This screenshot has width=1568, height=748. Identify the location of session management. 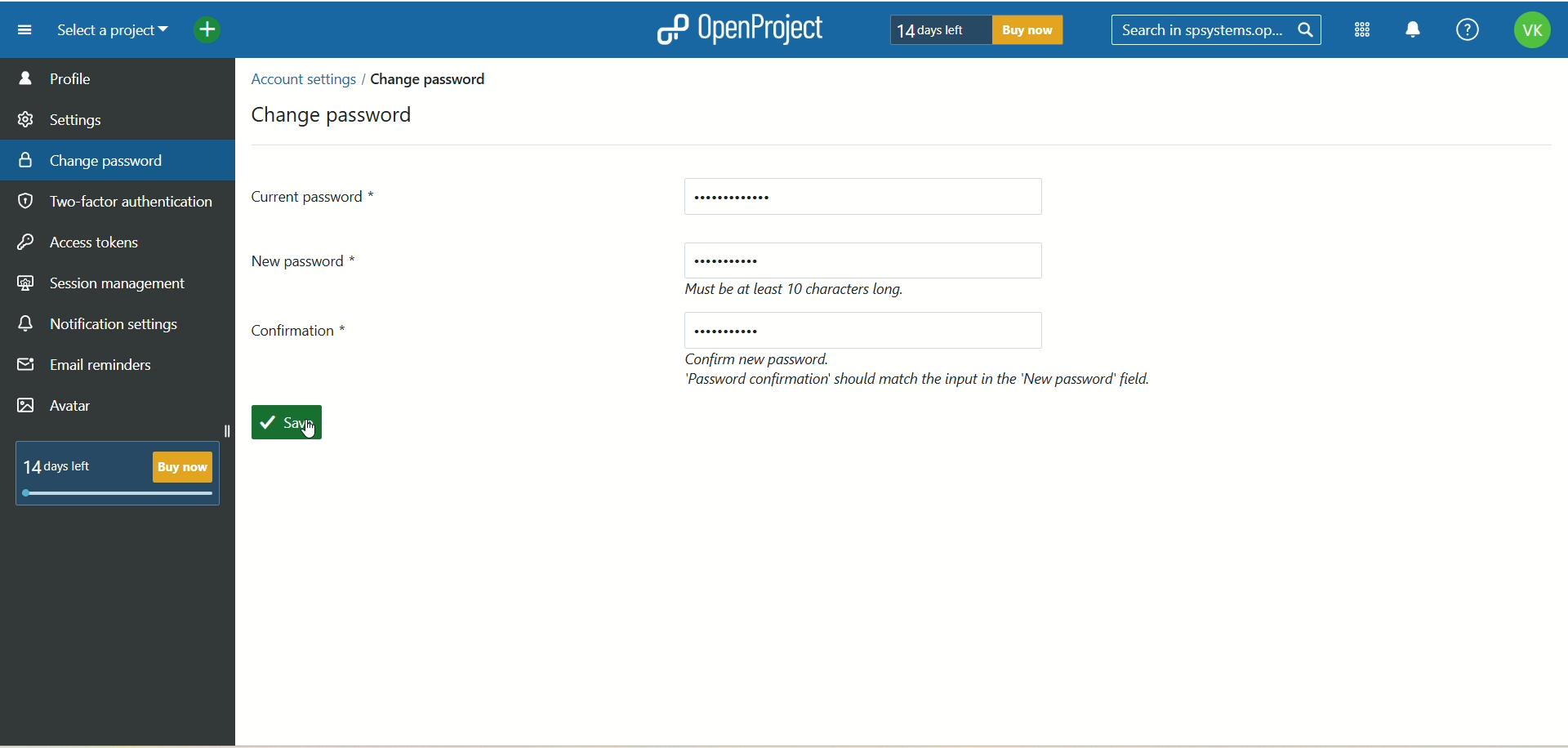
(104, 281).